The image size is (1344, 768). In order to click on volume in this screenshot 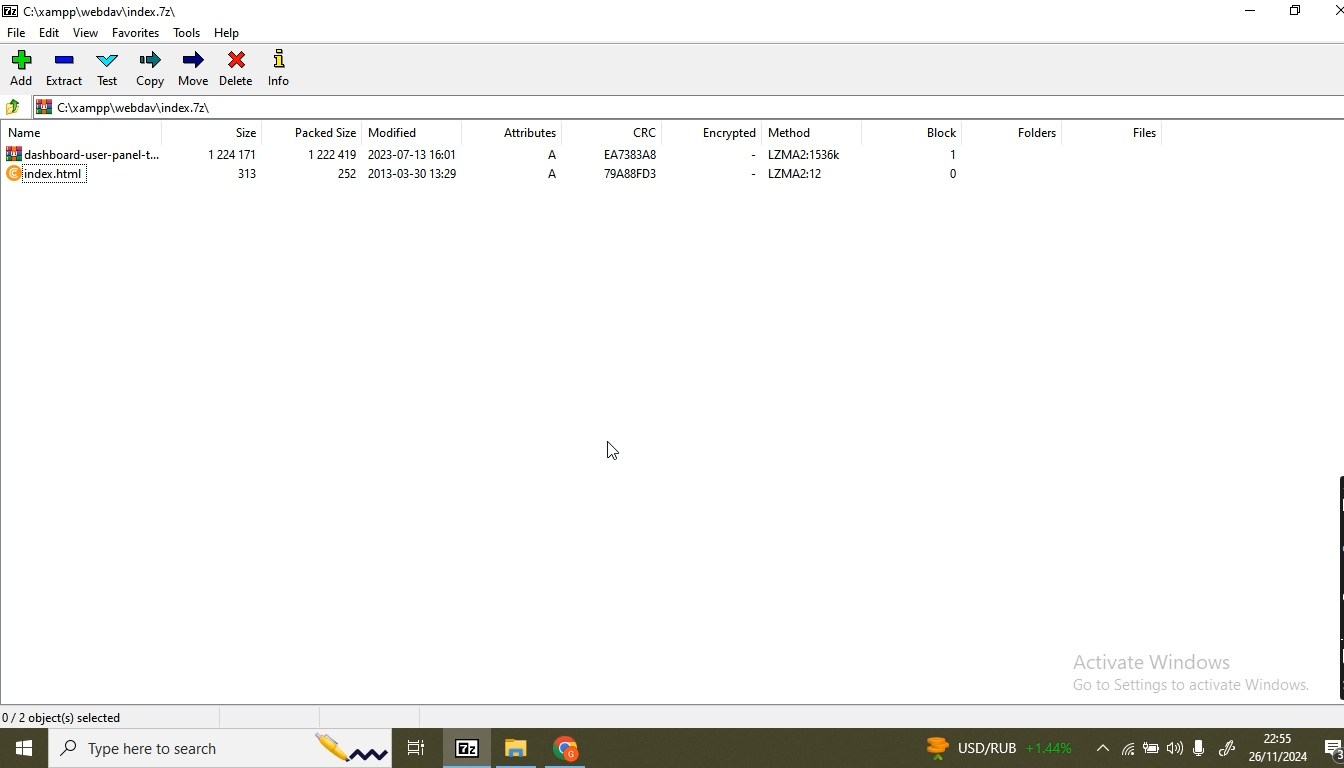, I will do `click(1176, 748)`.